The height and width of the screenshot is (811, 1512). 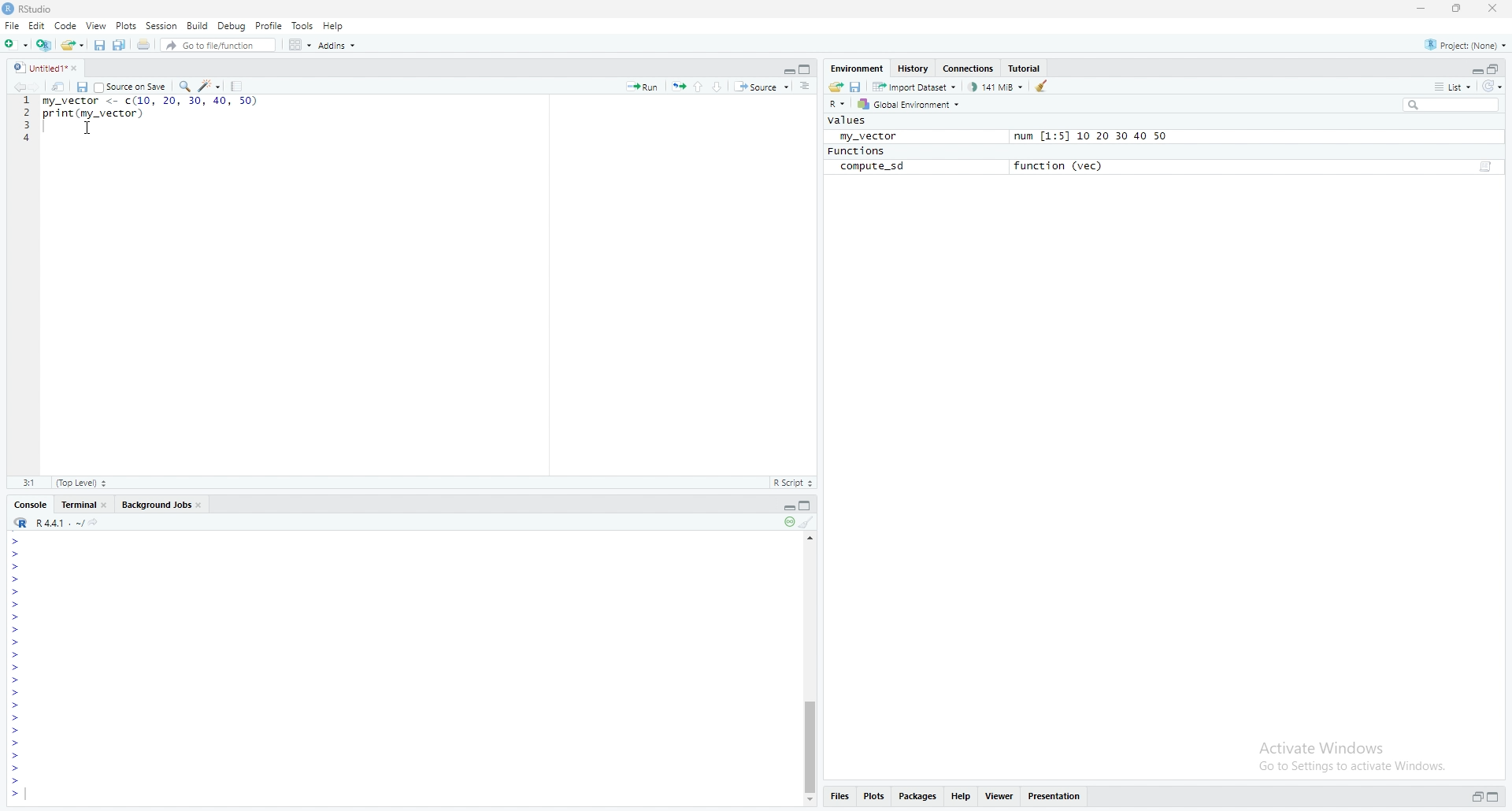 What do you see at coordinates (810, 801) in the screenshot?
I see `Button` at bounding box center [810, 801].